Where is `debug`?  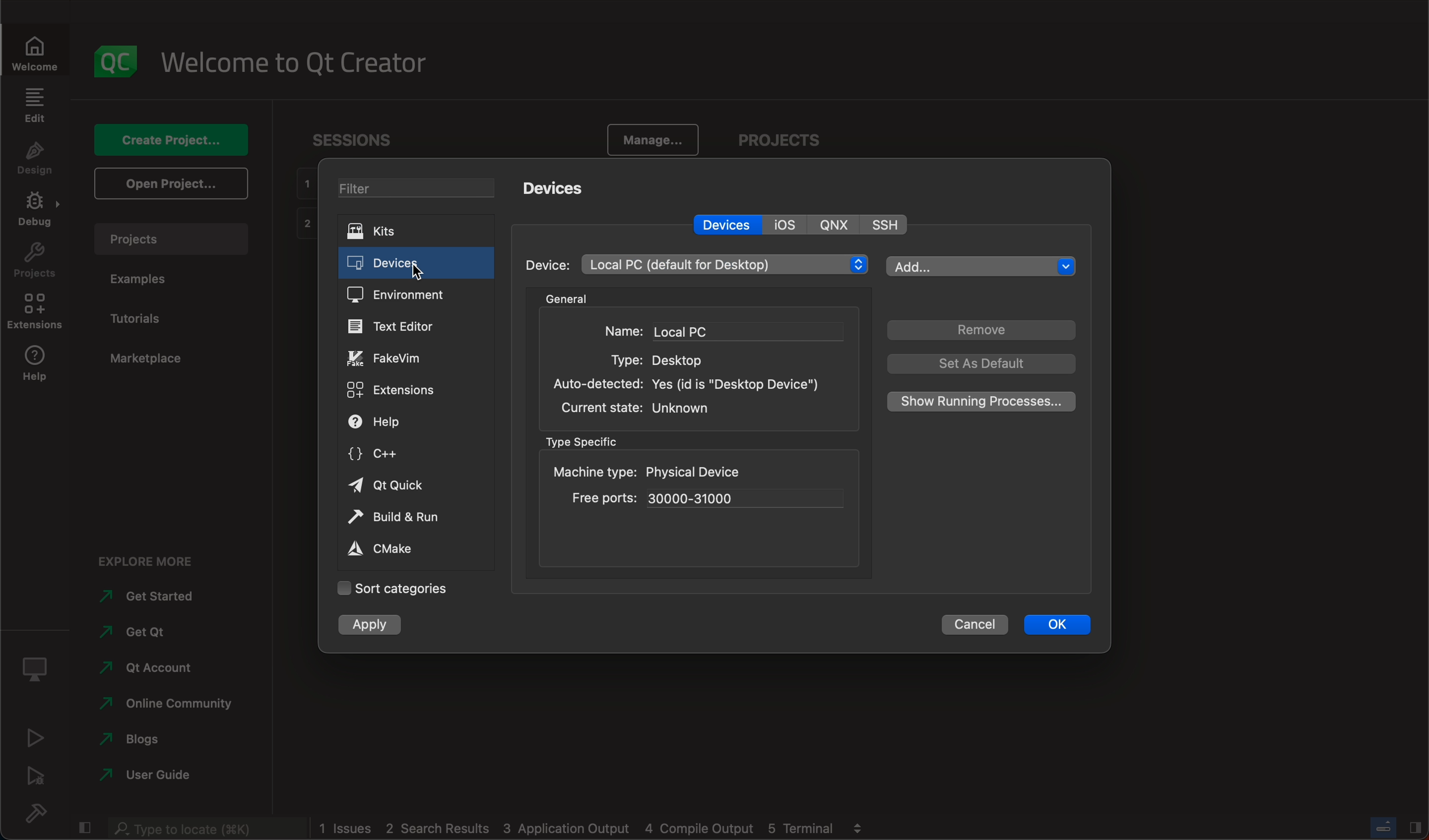 debug is located at coordinates (39, 214).